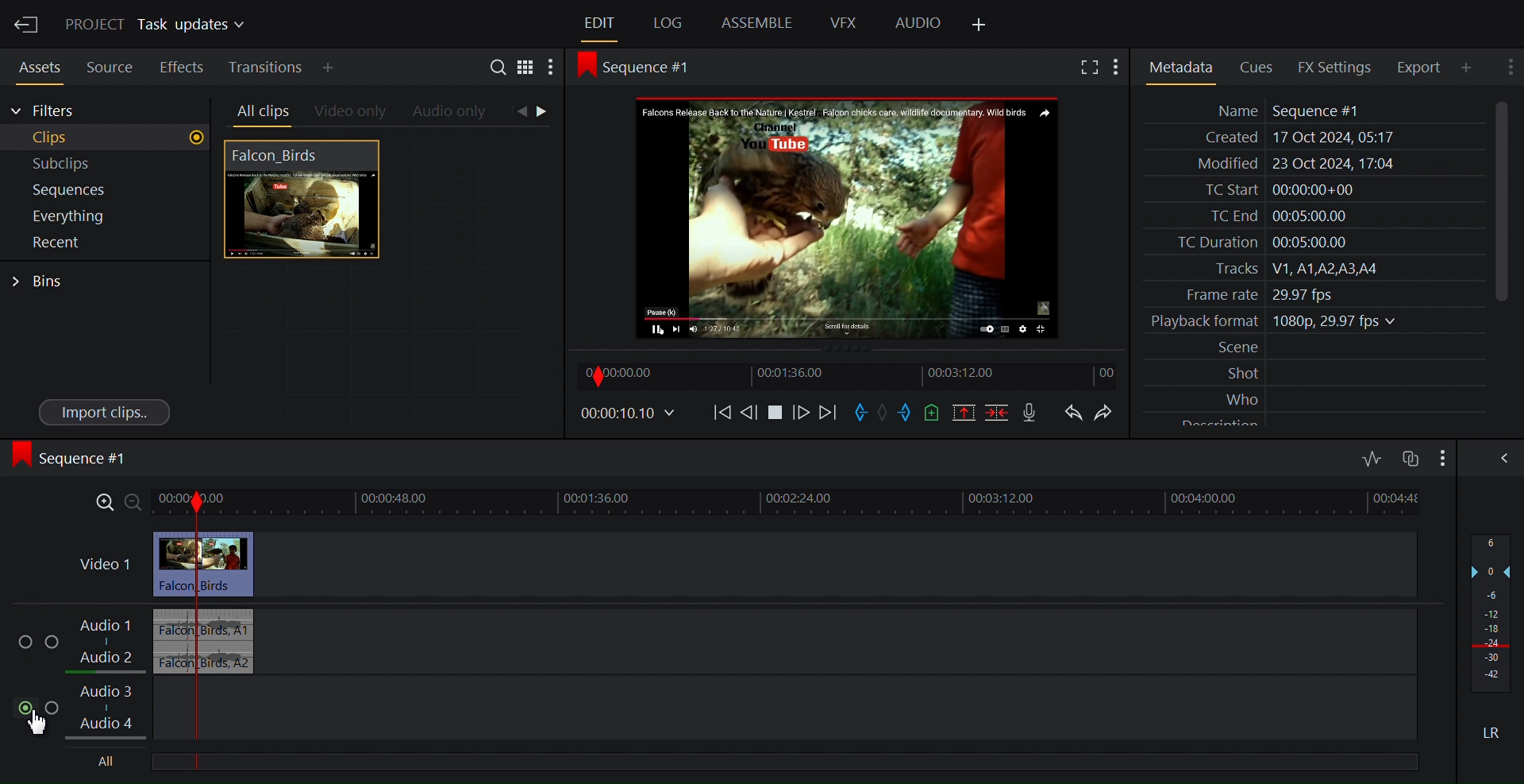 The image size is (1524, 784). I want to click on Zoom in, so click(99, 503).